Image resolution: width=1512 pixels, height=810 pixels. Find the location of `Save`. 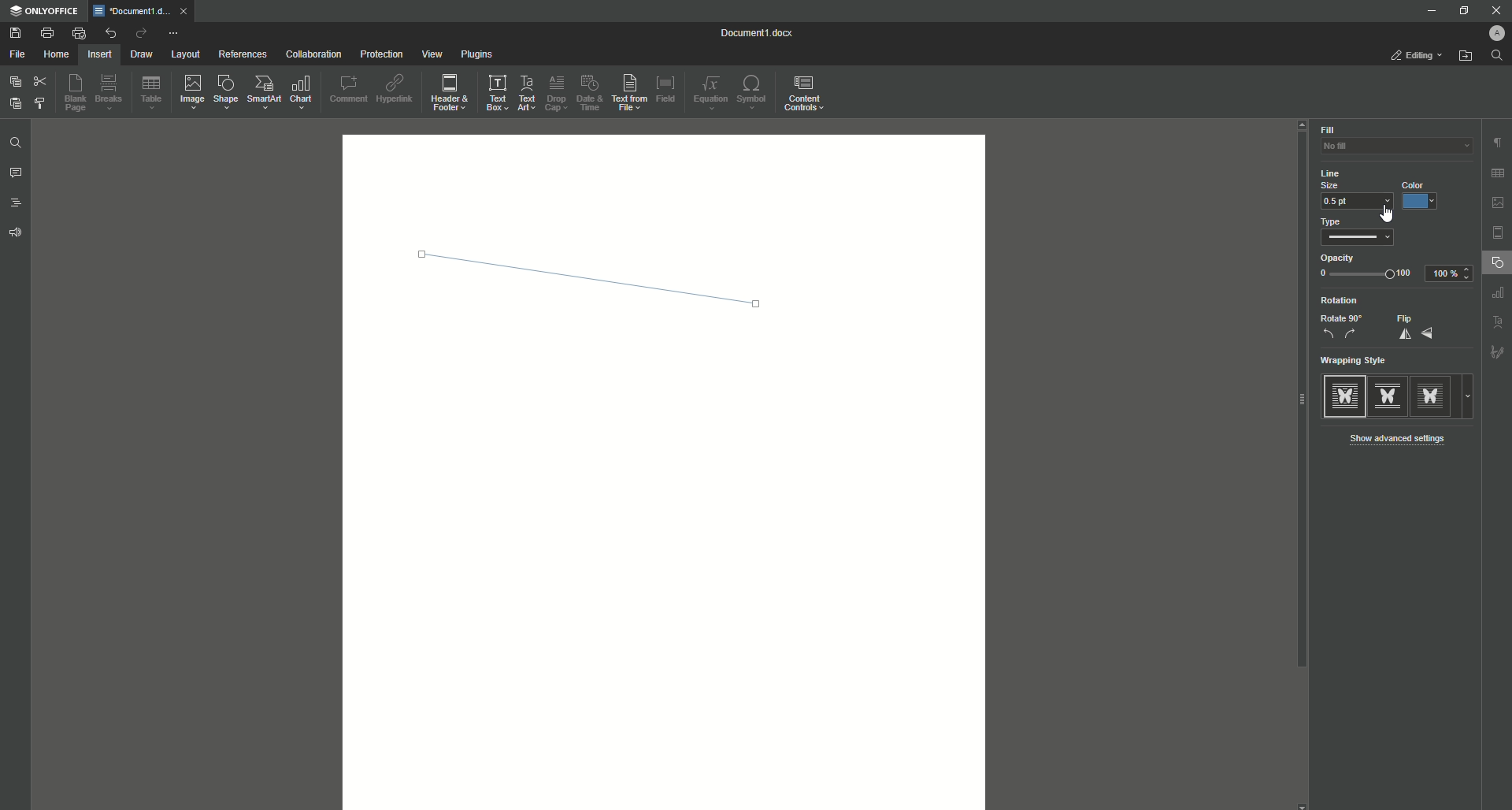

Save is located at coordinates (16, 33).